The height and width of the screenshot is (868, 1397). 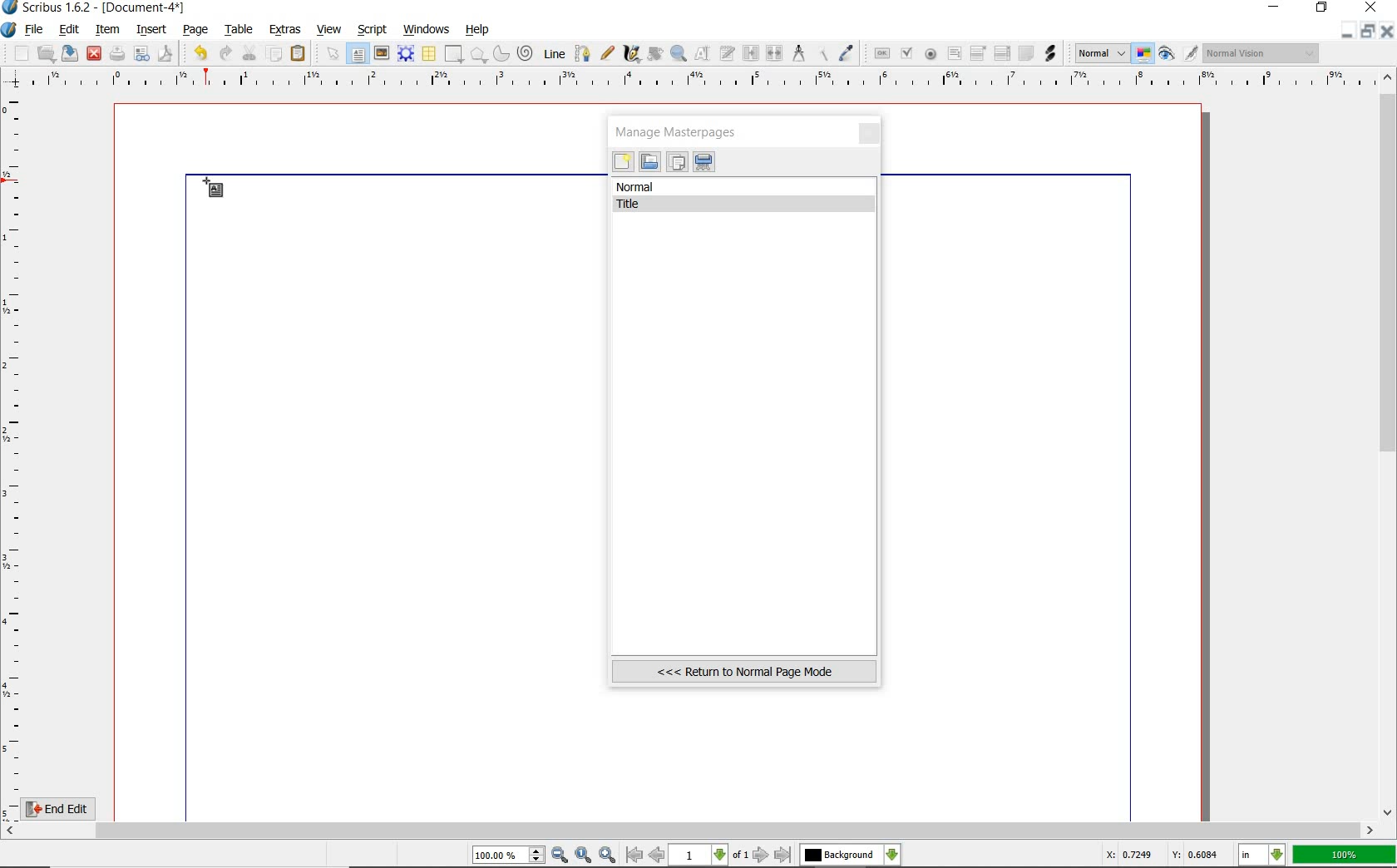 What do you see at coordinates (704, 162) in the screenshot?
I see `delete the selected masterpages` at bounding box center [704, 162].